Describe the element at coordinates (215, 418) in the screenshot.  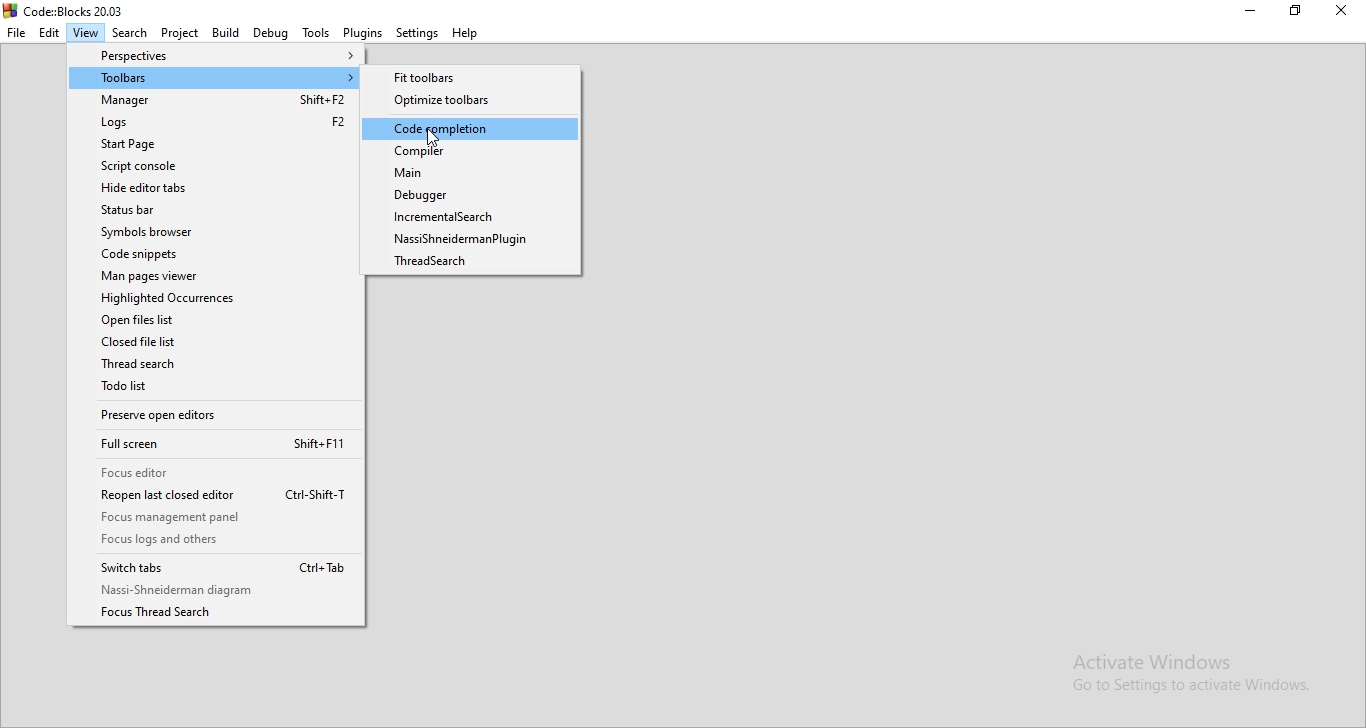
I see `Preserve open editors` at that location.